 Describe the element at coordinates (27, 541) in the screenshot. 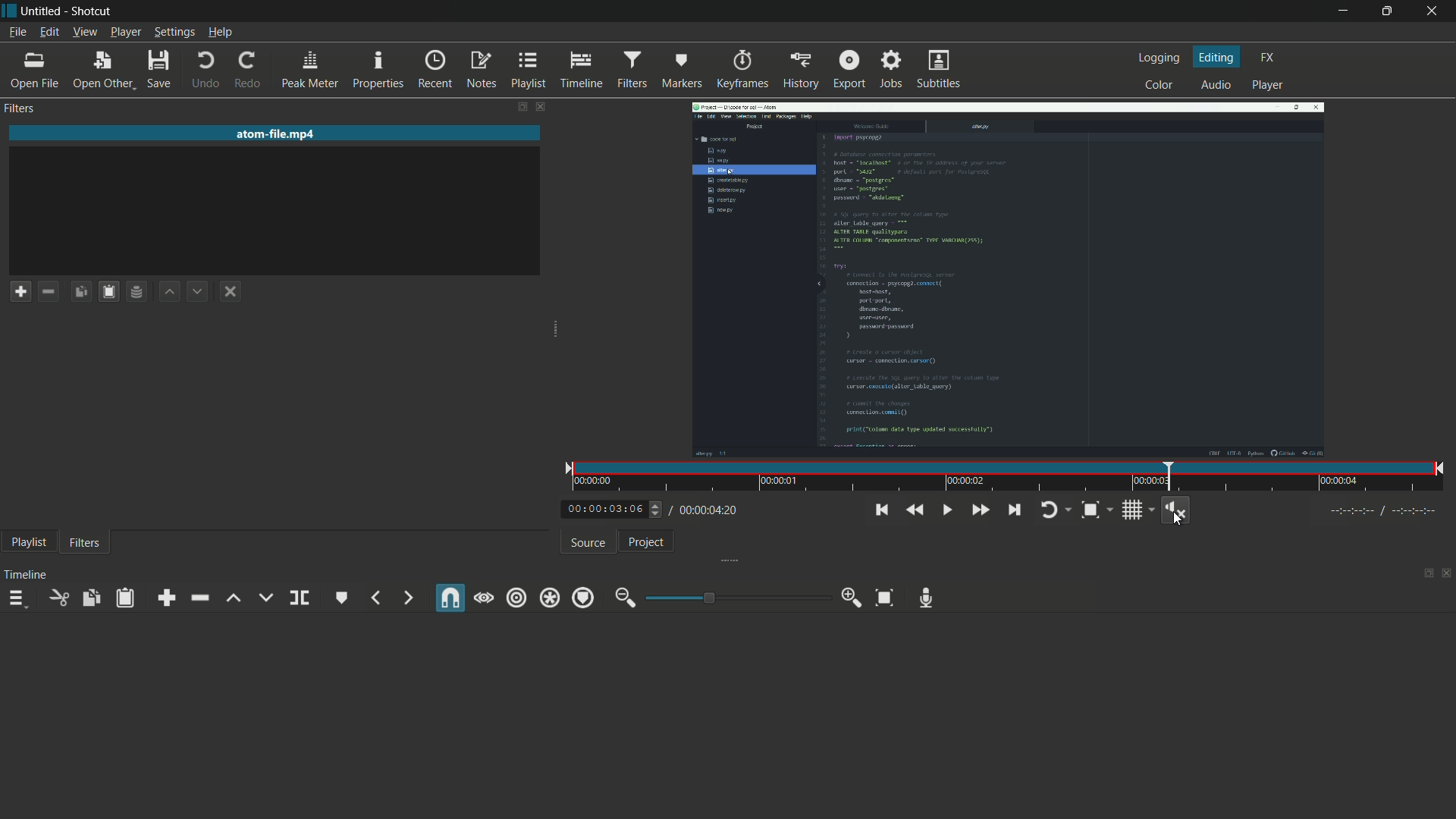

I see `playlist` at that location.